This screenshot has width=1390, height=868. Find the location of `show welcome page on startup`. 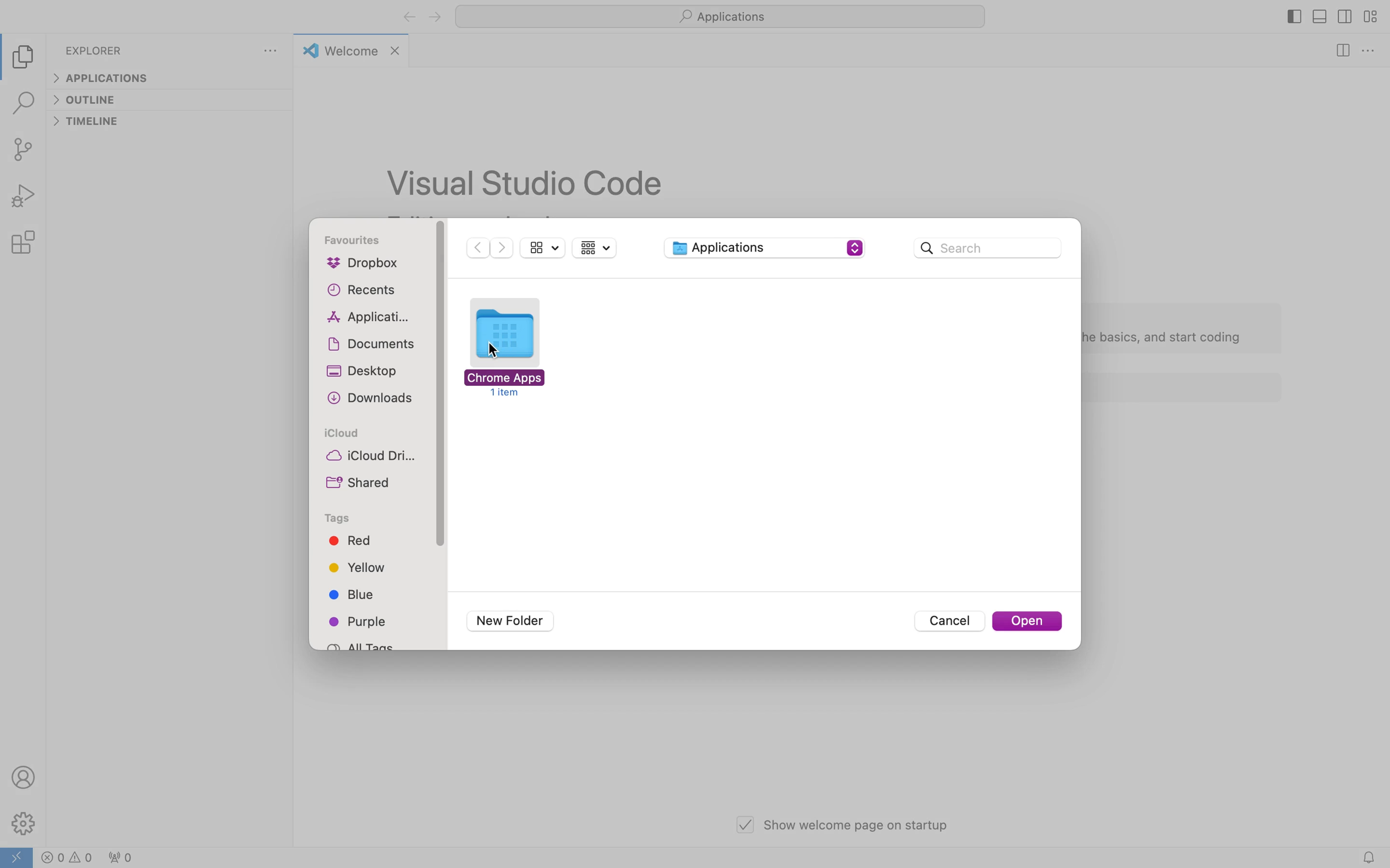

show welcome page on startup is located at coordinates (841, 824).